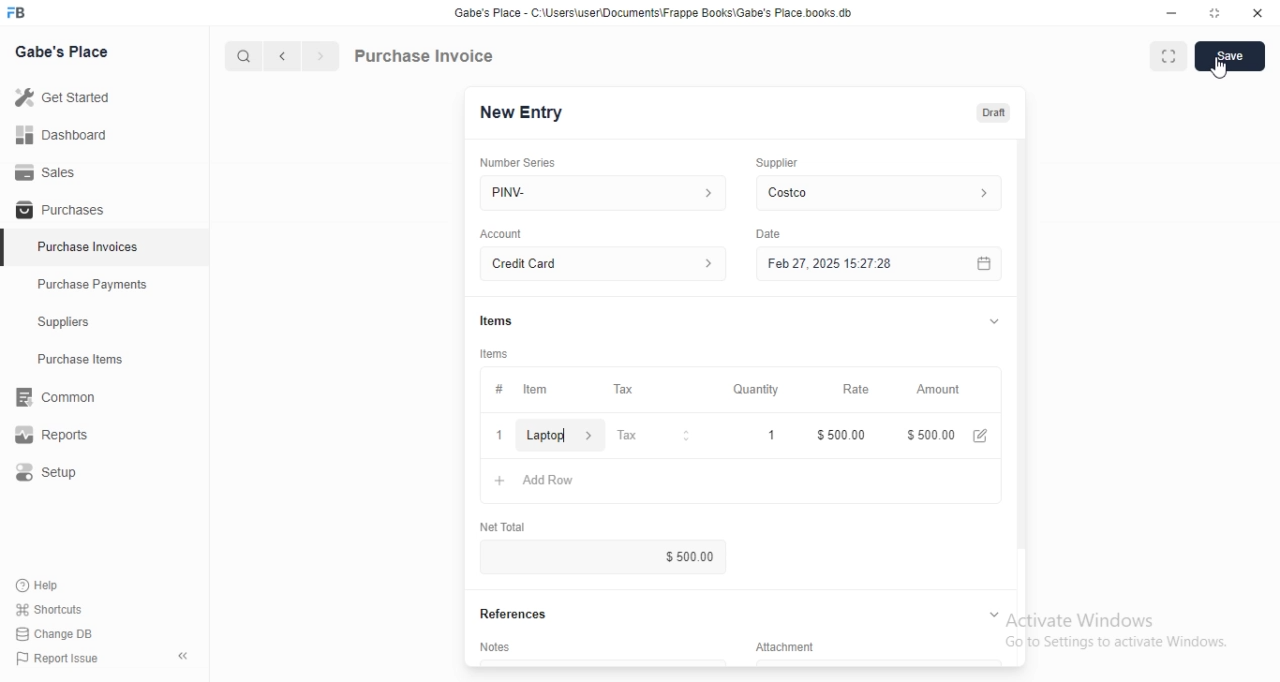 The image size is (1280, 682). Describe the element at coordinates (841, 389) in the screenshot. I see `Rate` at that location.